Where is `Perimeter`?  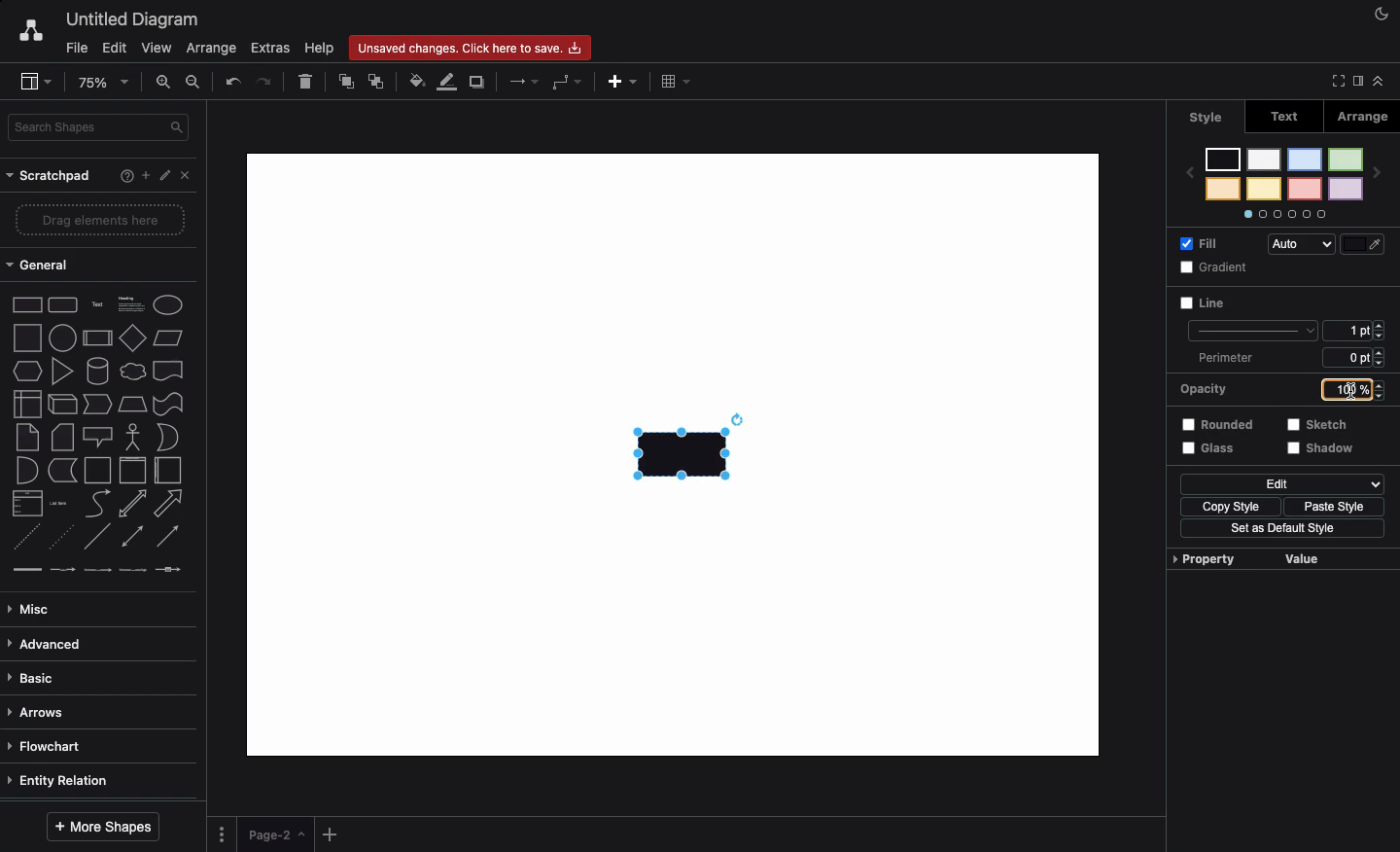
Perimeter is located at coordinates (1232, 357).